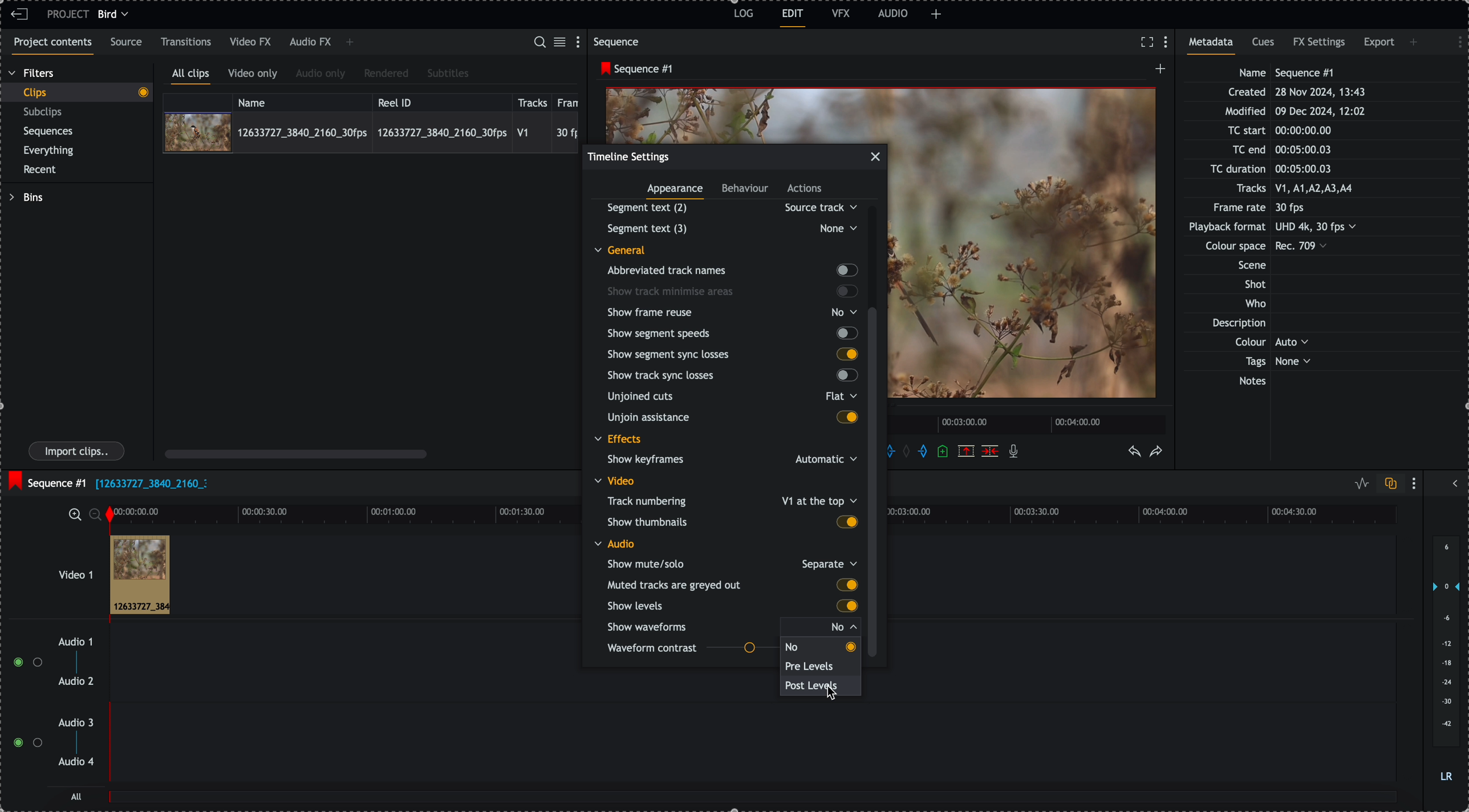 This screenshot has height=812, width=1469. I want to click on file, so click(151, 485).